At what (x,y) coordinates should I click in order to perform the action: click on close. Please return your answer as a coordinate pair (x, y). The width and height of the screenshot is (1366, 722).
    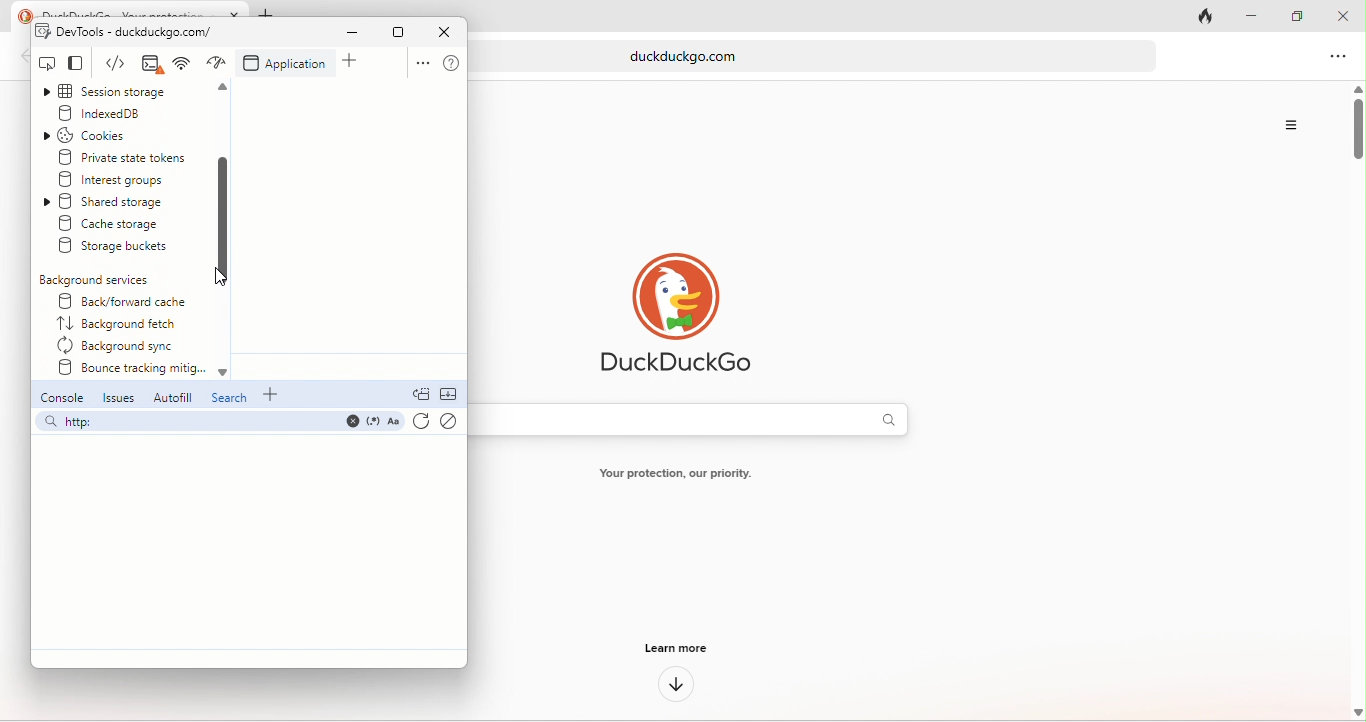
    Looking at the image, I should click on (443, 32).